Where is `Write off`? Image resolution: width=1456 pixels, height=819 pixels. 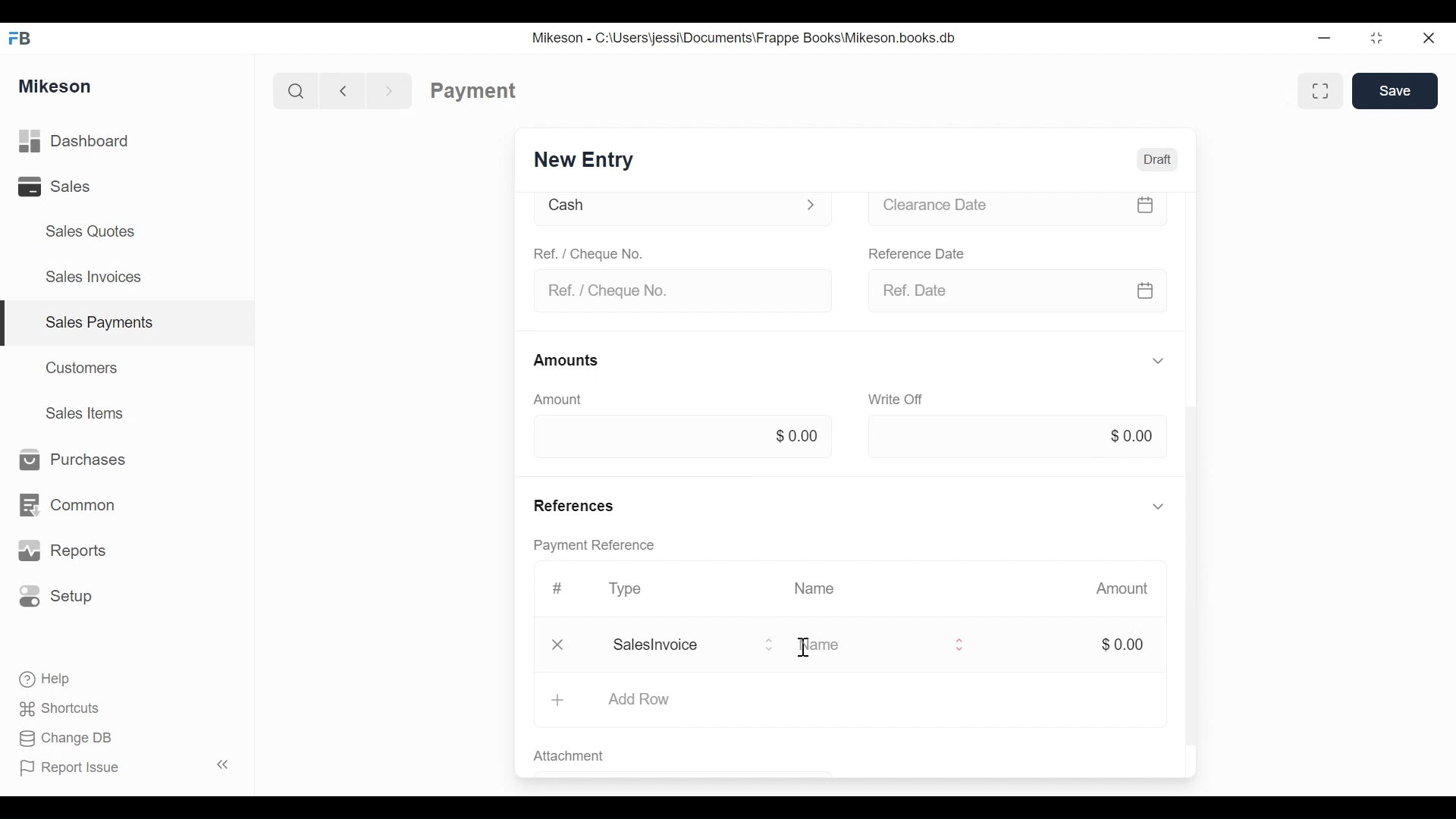 Write off is located at coordinates (898, 401).